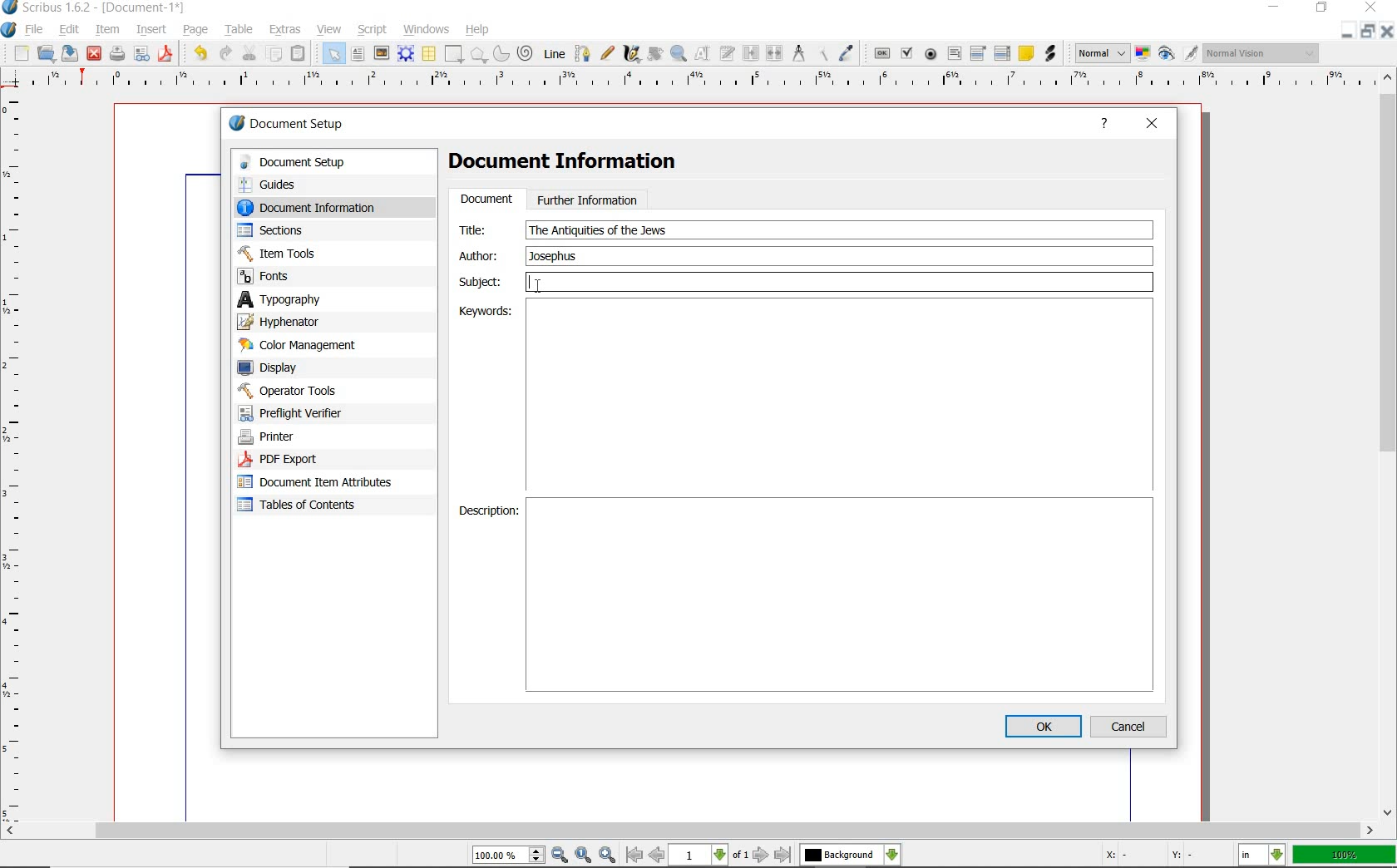 This screenshot has height=868, width=1397. Describe the element at coordinates (728, 55) in the screenshot. I see `edit text with story editor` at that location.